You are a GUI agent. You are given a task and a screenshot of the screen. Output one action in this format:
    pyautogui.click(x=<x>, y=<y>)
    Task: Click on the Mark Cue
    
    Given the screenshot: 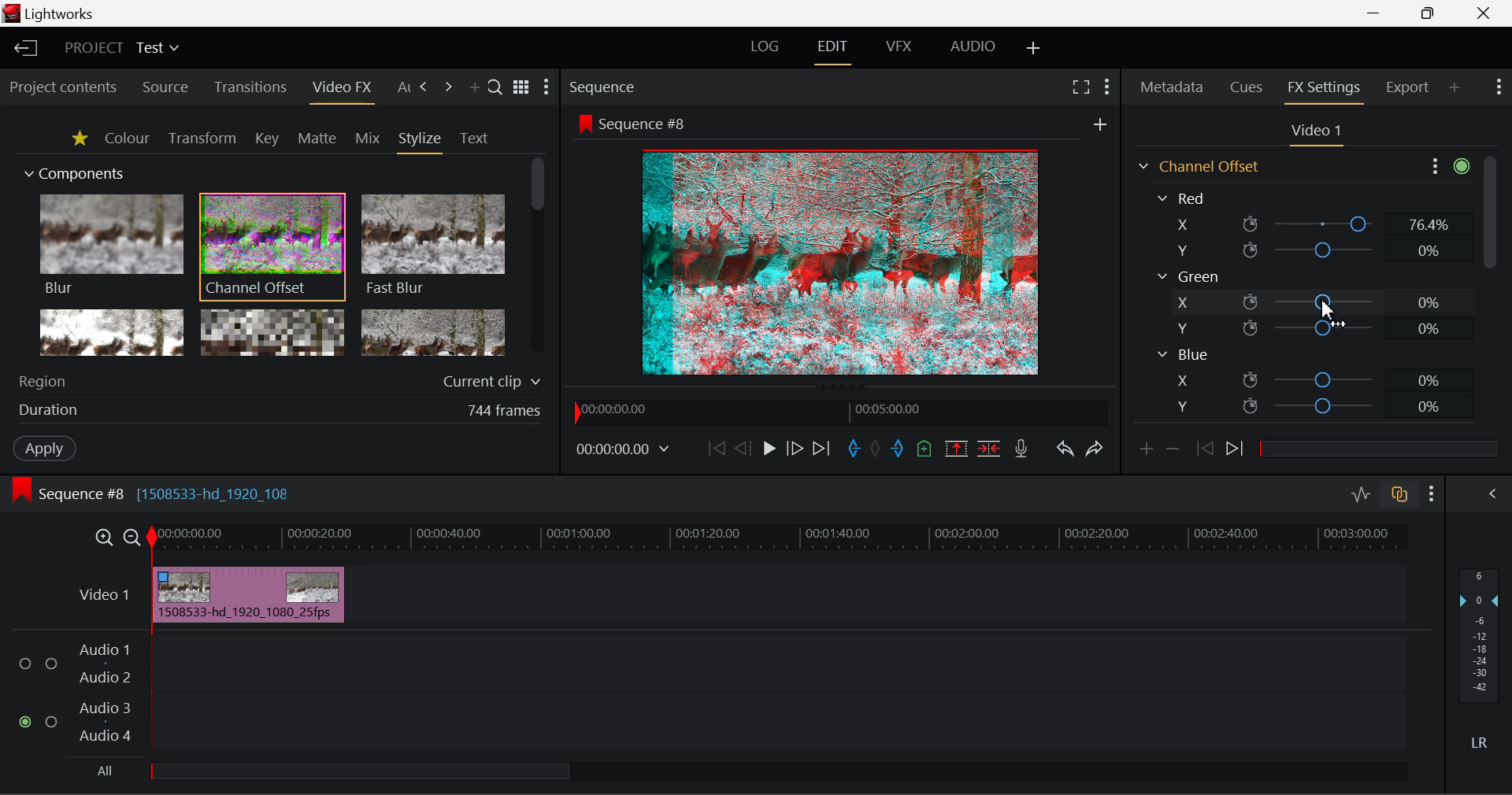 What is the action you would take?
    pyautogui.click(x=925, y=447)
    